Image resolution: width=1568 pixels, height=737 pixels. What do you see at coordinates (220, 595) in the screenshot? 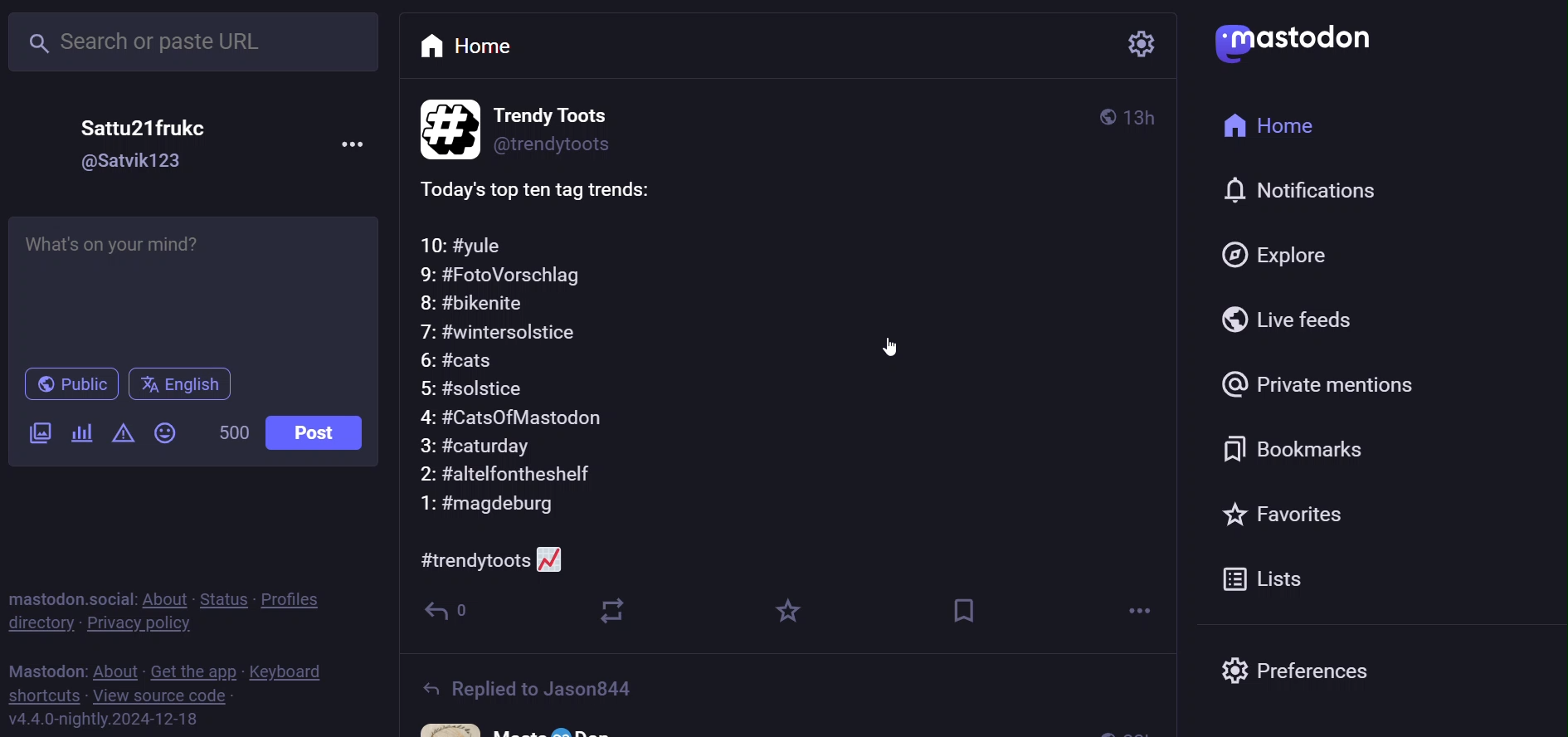
I see `status` at bounding box center [220, 595].